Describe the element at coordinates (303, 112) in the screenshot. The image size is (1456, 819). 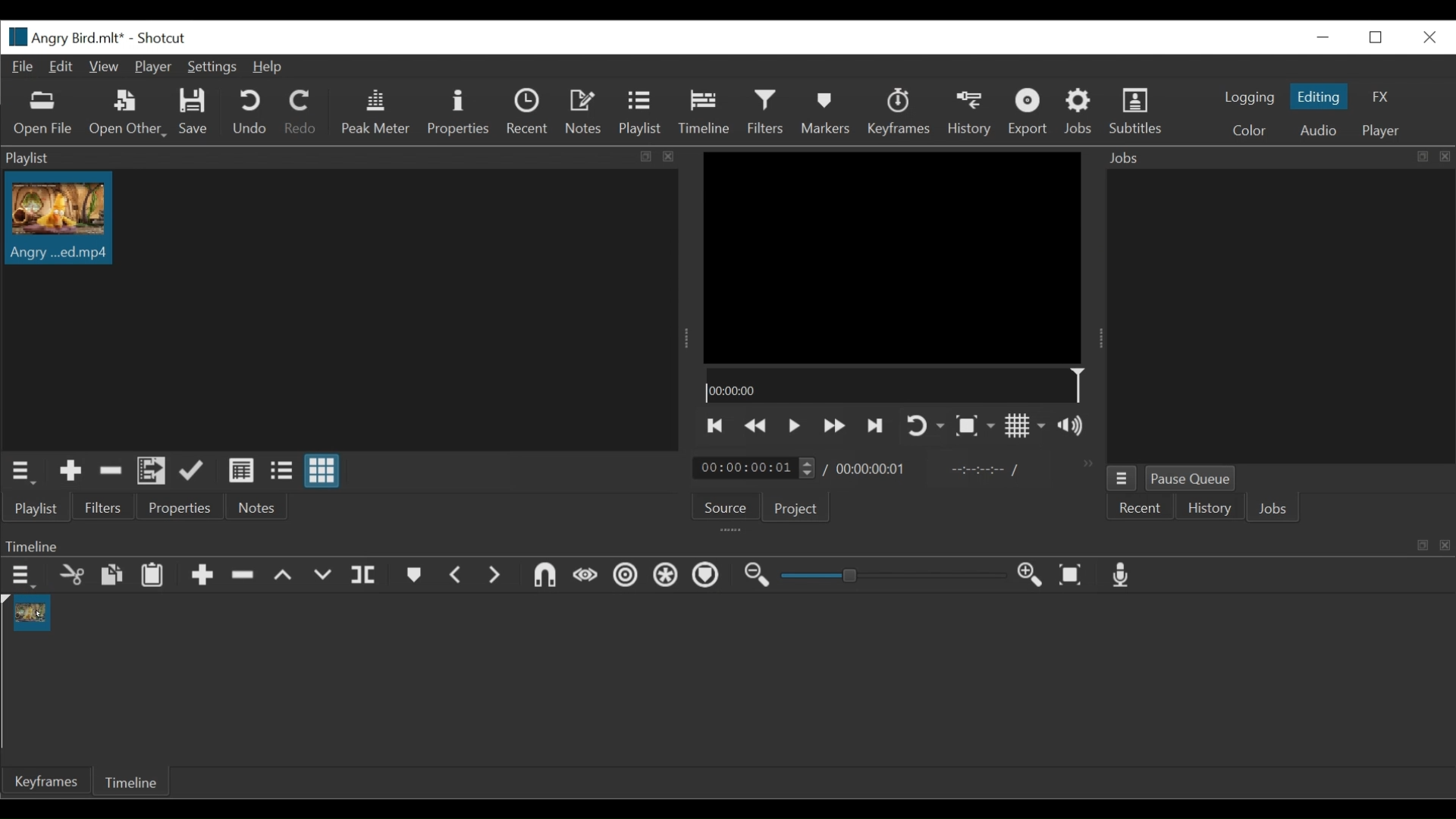
I see `Redo` at that location.